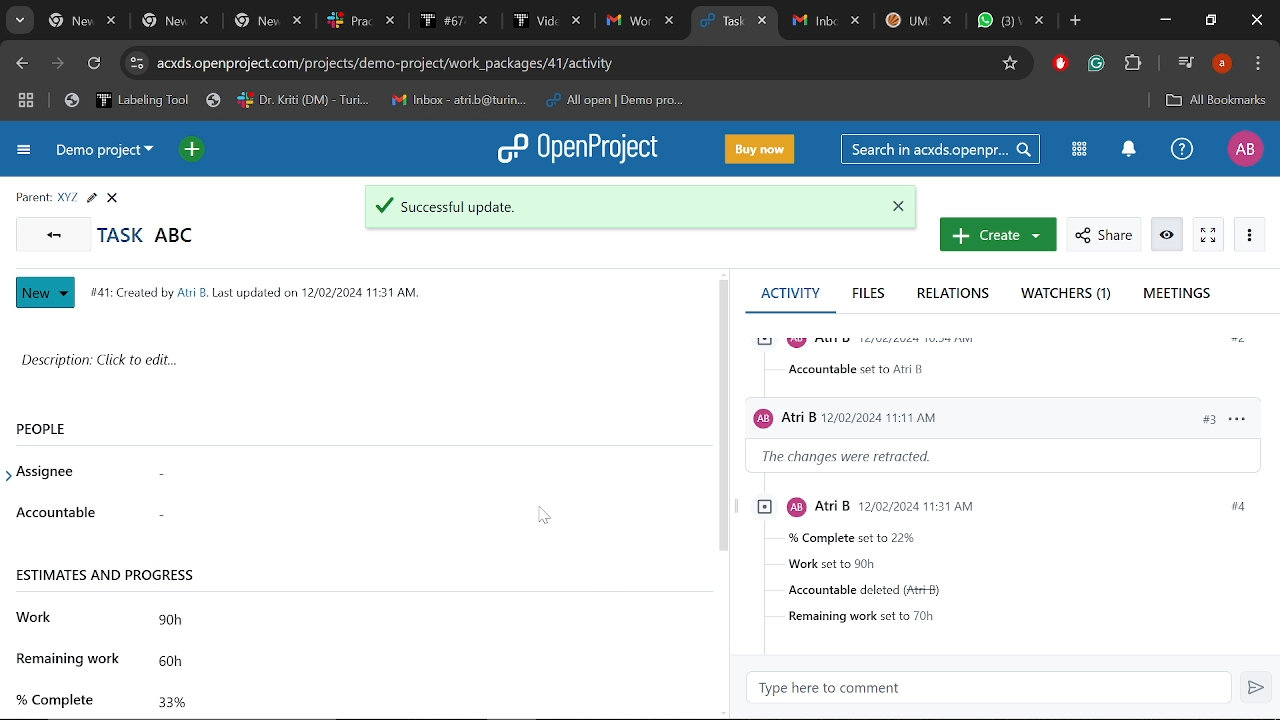 Image resolution: width=1280 pixels, height=720 pixels. Describe the element at coordinates (860, 369) in the screenshot. I see `accountable` at that location.